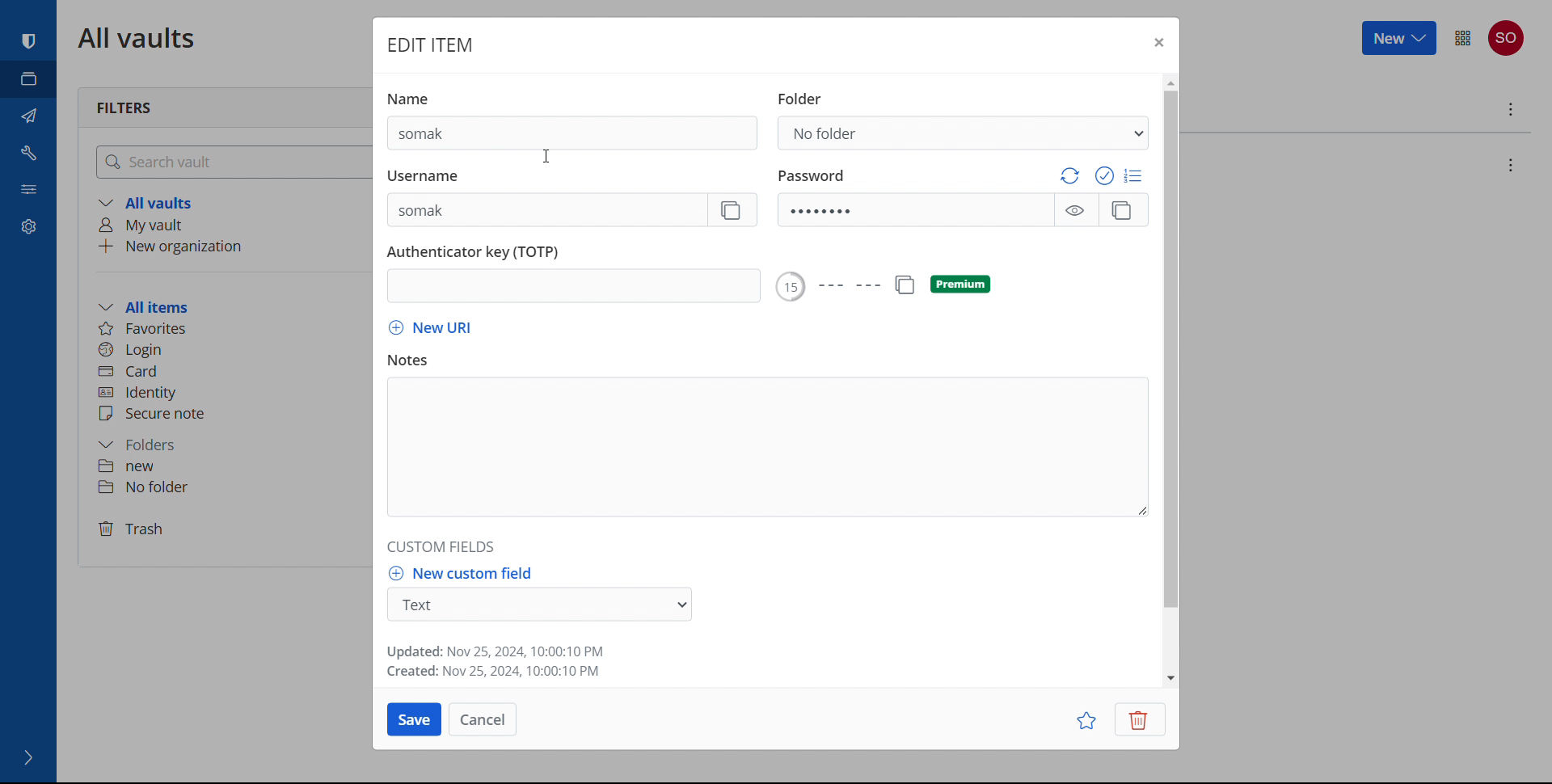 This screenshot has width=1552, height=784. I want to click on toggle character count, so click(1135, 175).